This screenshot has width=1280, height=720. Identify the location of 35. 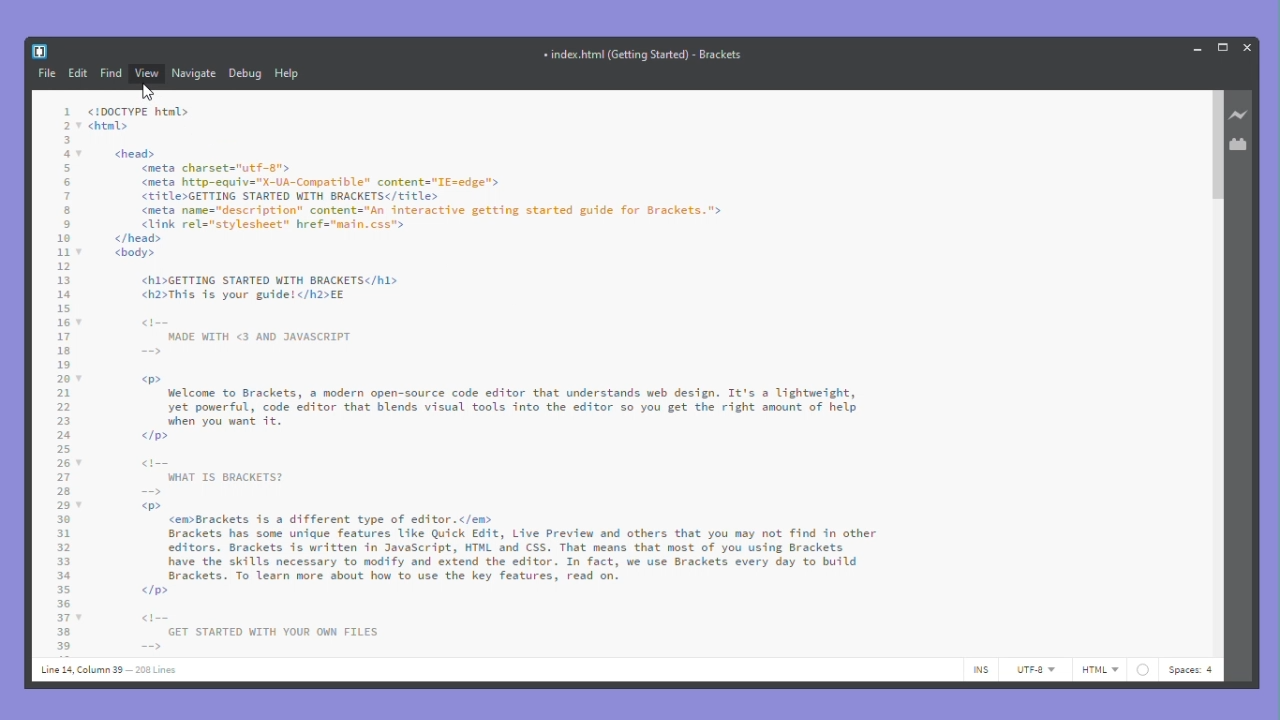
(63, 588).